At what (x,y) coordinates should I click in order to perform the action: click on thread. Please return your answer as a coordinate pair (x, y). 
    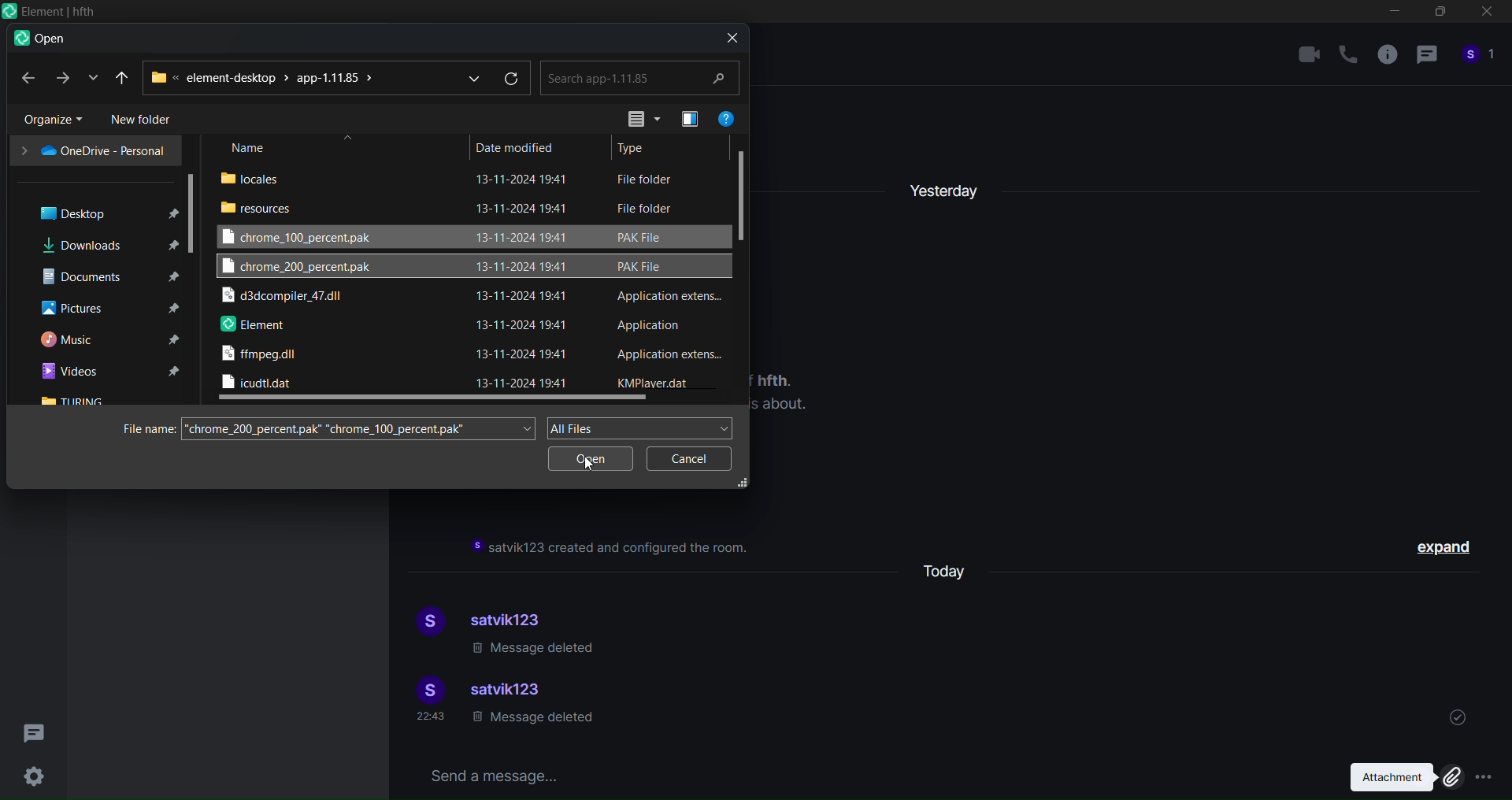
    Looking at the image, I should click on (1426, 57).